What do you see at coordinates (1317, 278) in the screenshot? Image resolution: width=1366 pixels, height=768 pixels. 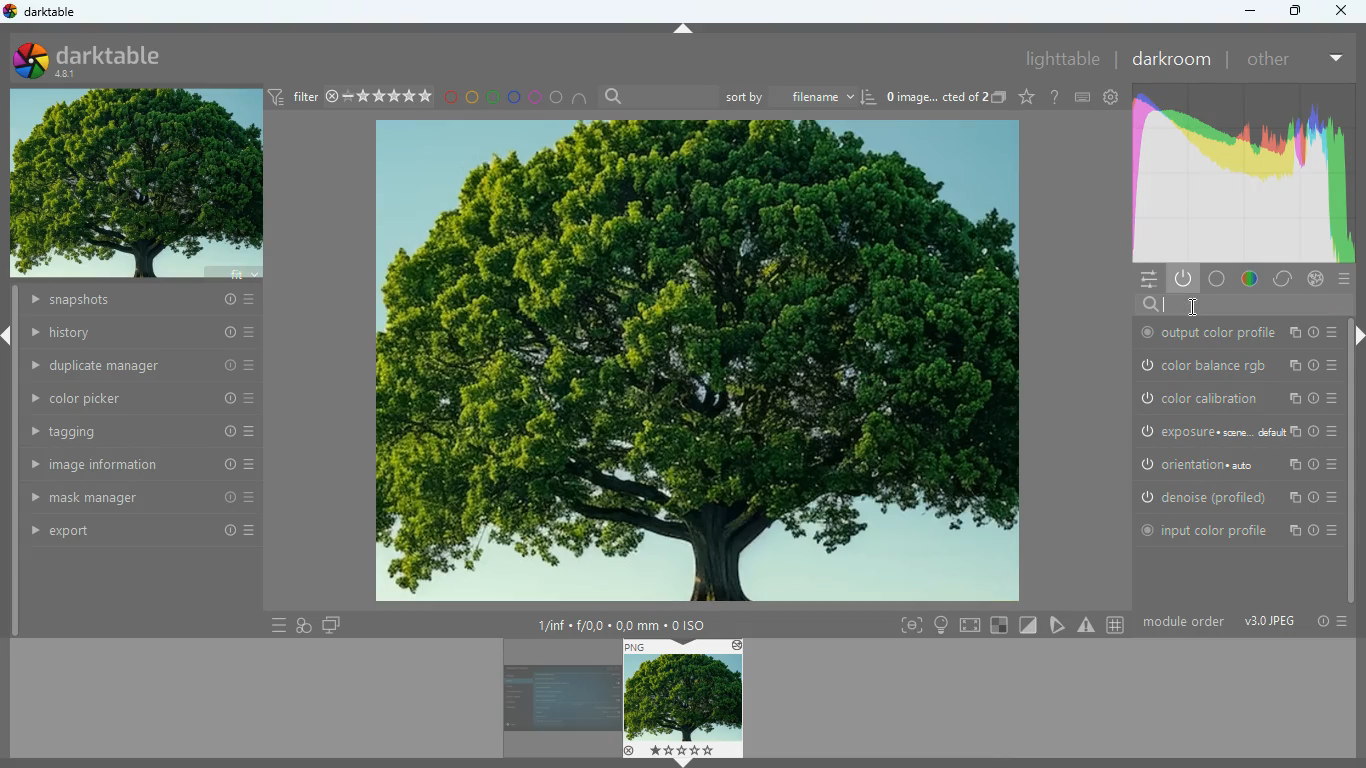 I see `effect` at bounding box center [1317, 278].